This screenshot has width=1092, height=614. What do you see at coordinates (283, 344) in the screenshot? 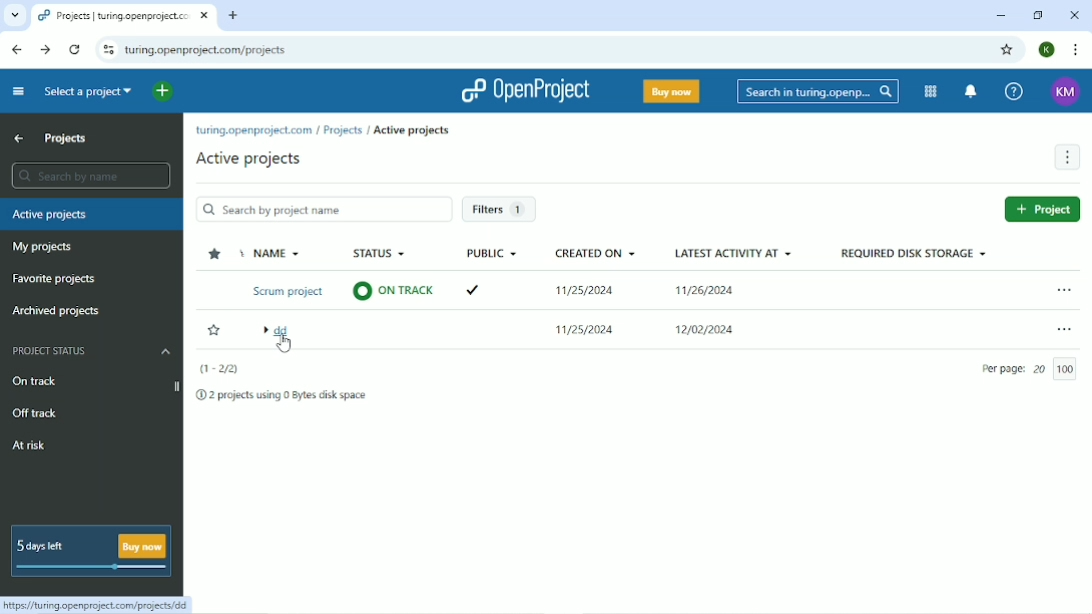
I see `cursor` at bounding box center [283, 344].